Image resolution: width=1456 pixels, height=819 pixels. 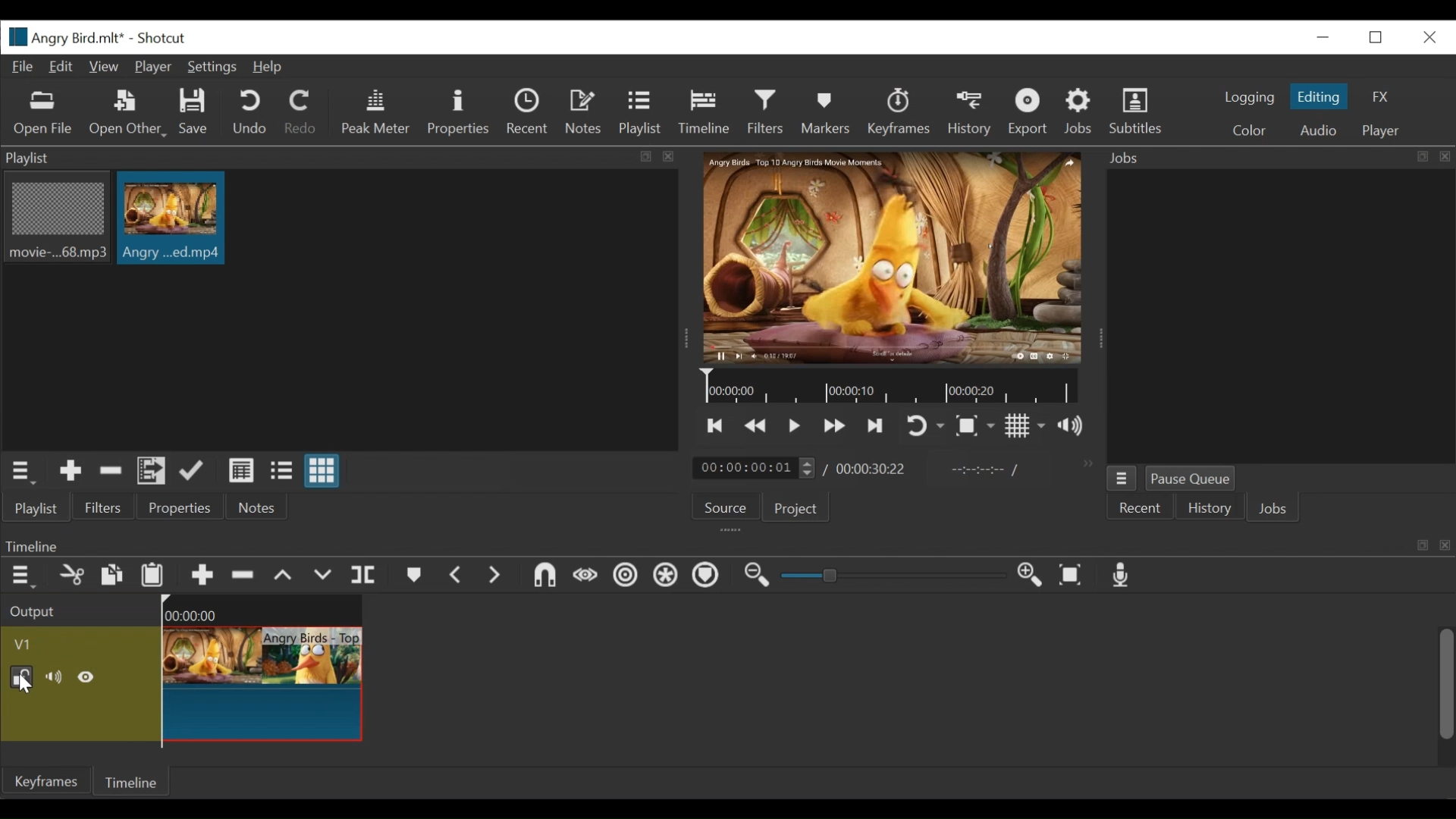 I want to click on History, so click(x=970, y=114).